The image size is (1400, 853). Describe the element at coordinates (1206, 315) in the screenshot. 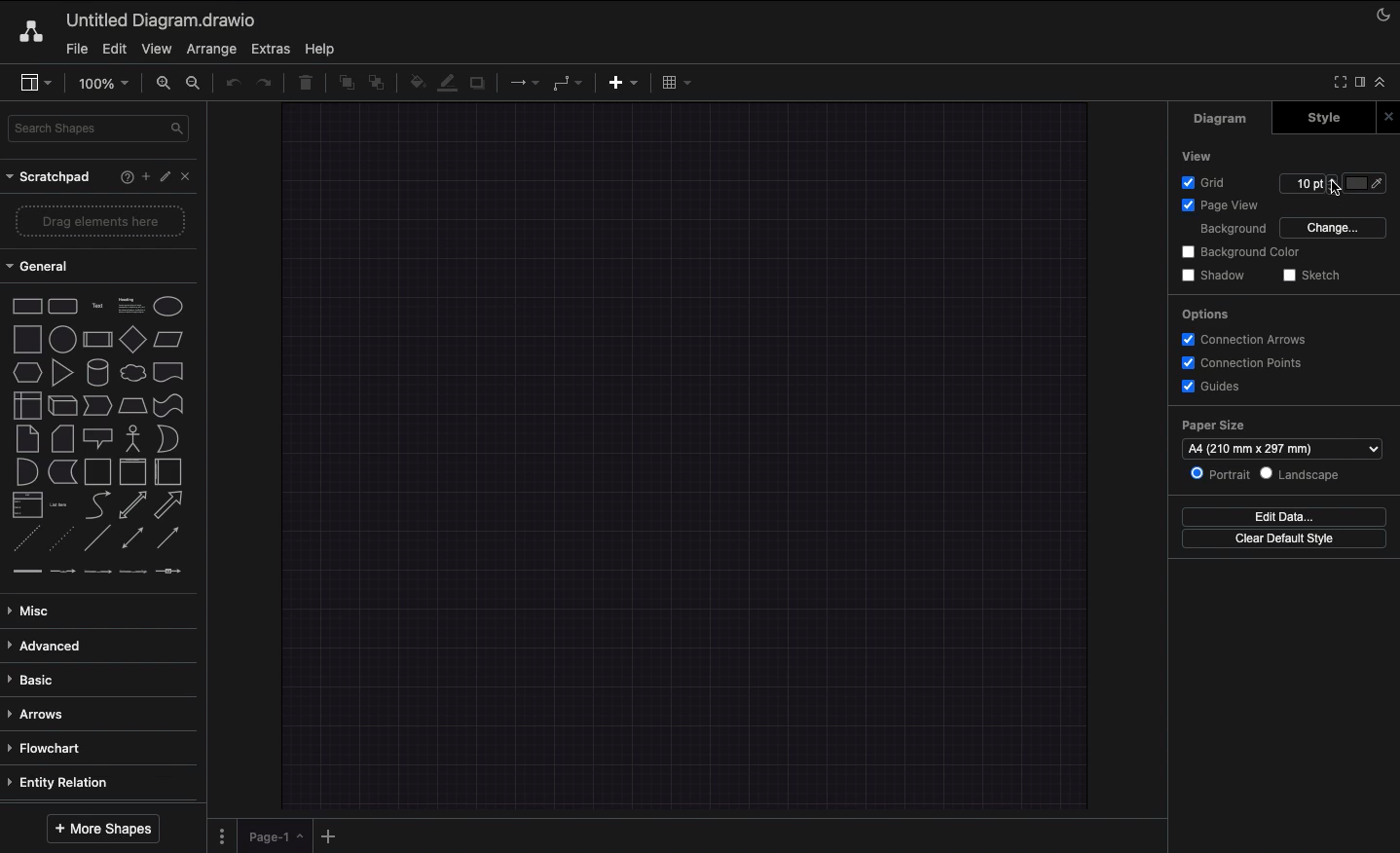

I see `Options` at that location.